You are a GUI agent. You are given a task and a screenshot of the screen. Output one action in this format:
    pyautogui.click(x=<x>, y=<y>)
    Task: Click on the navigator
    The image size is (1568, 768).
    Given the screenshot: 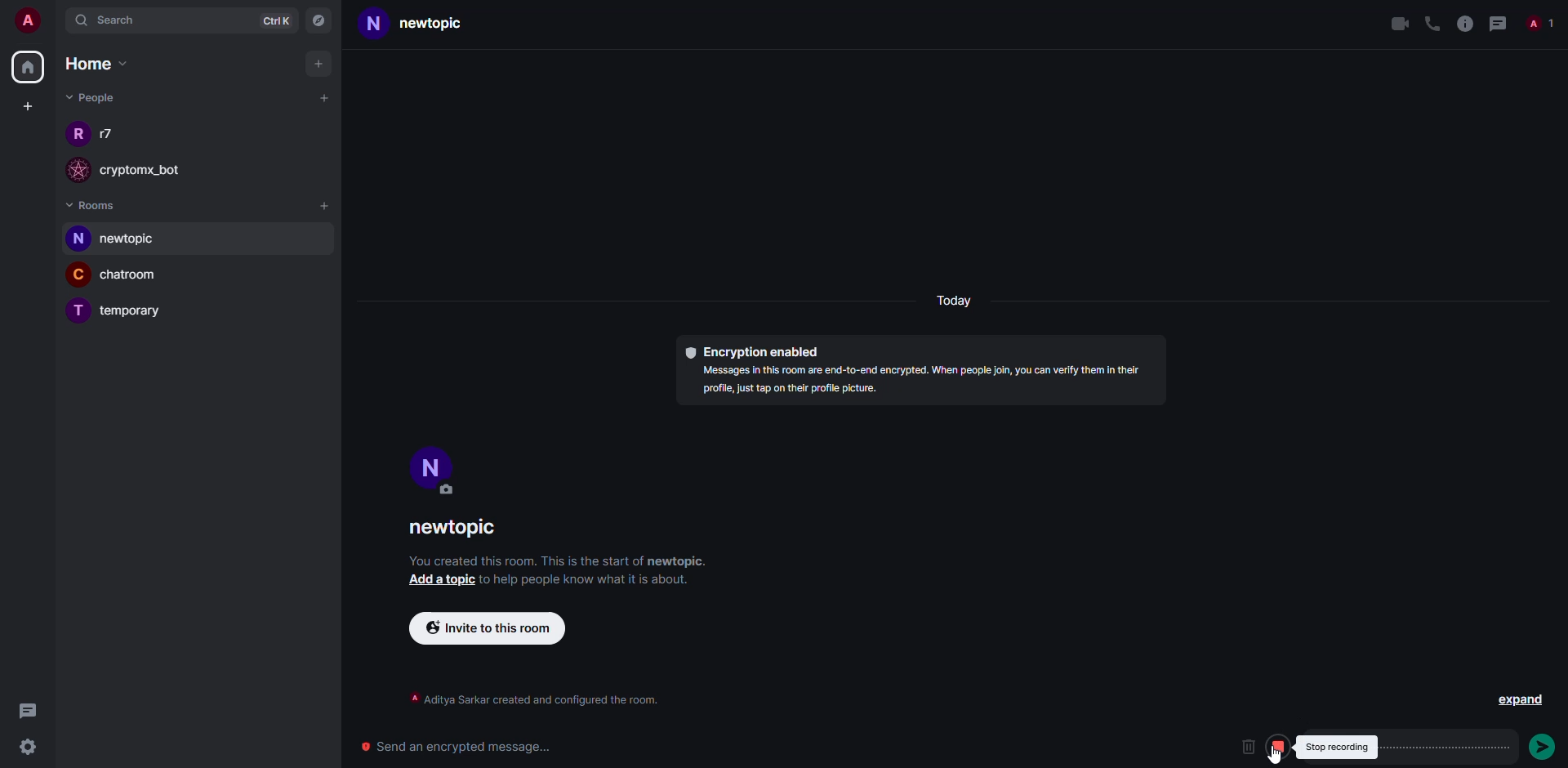 What is the action you would take?
    pyautogui.click(x=322, y=20)
    